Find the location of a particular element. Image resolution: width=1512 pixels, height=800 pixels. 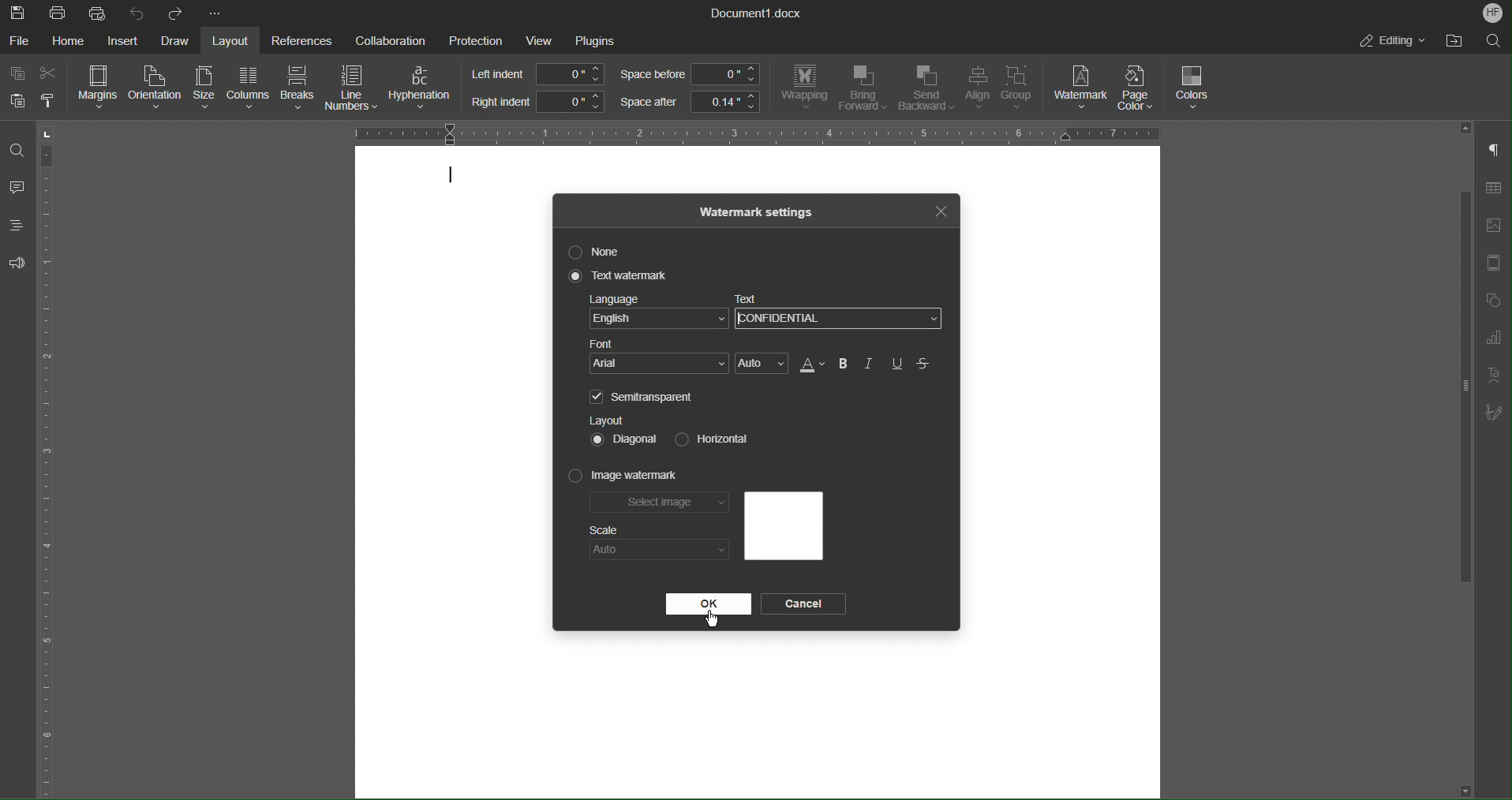

Select image is located at coordinates (661, 505).